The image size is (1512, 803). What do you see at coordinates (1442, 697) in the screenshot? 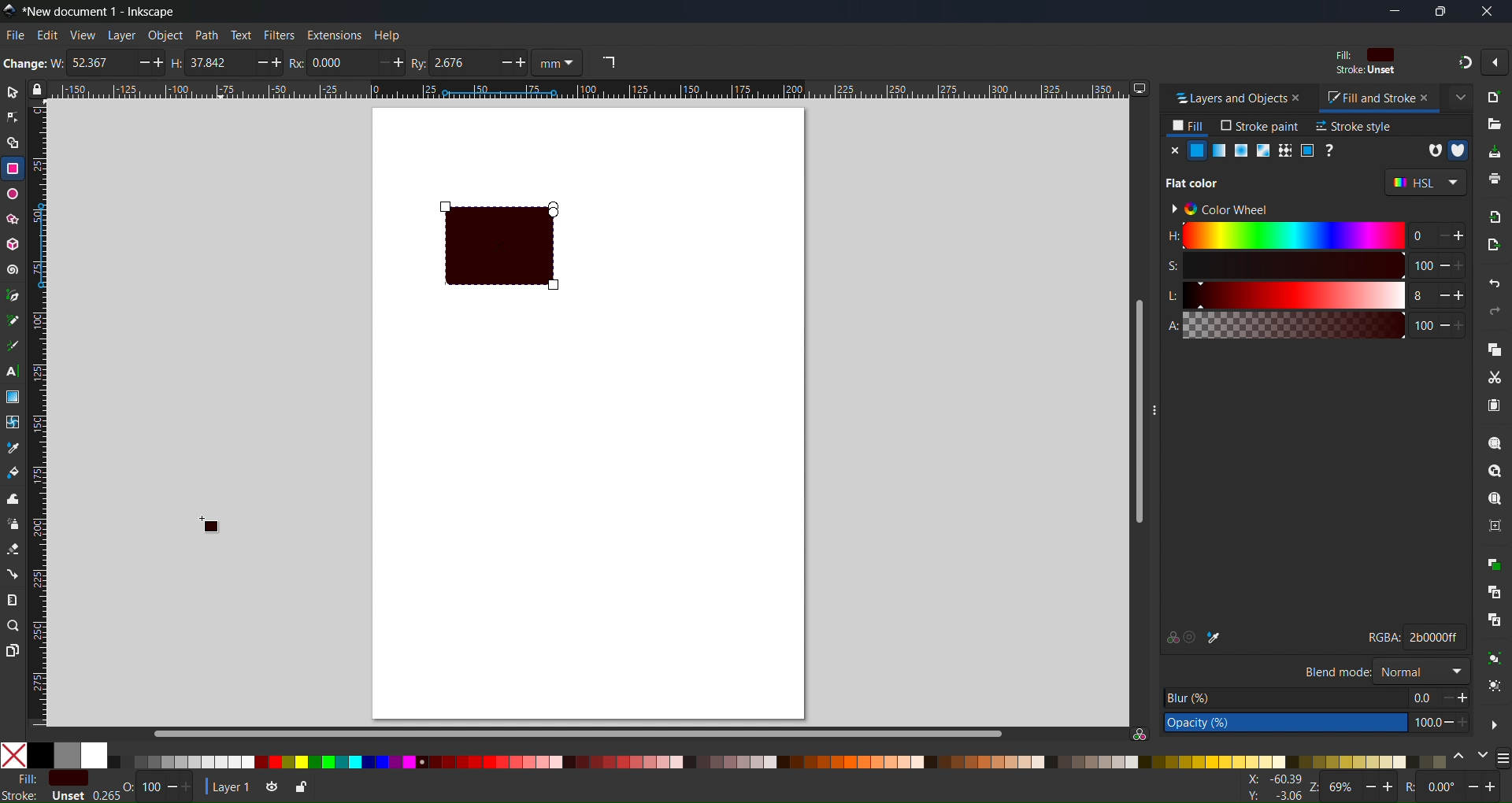
I see `decrease blur` at bounding box center [1442, 697].